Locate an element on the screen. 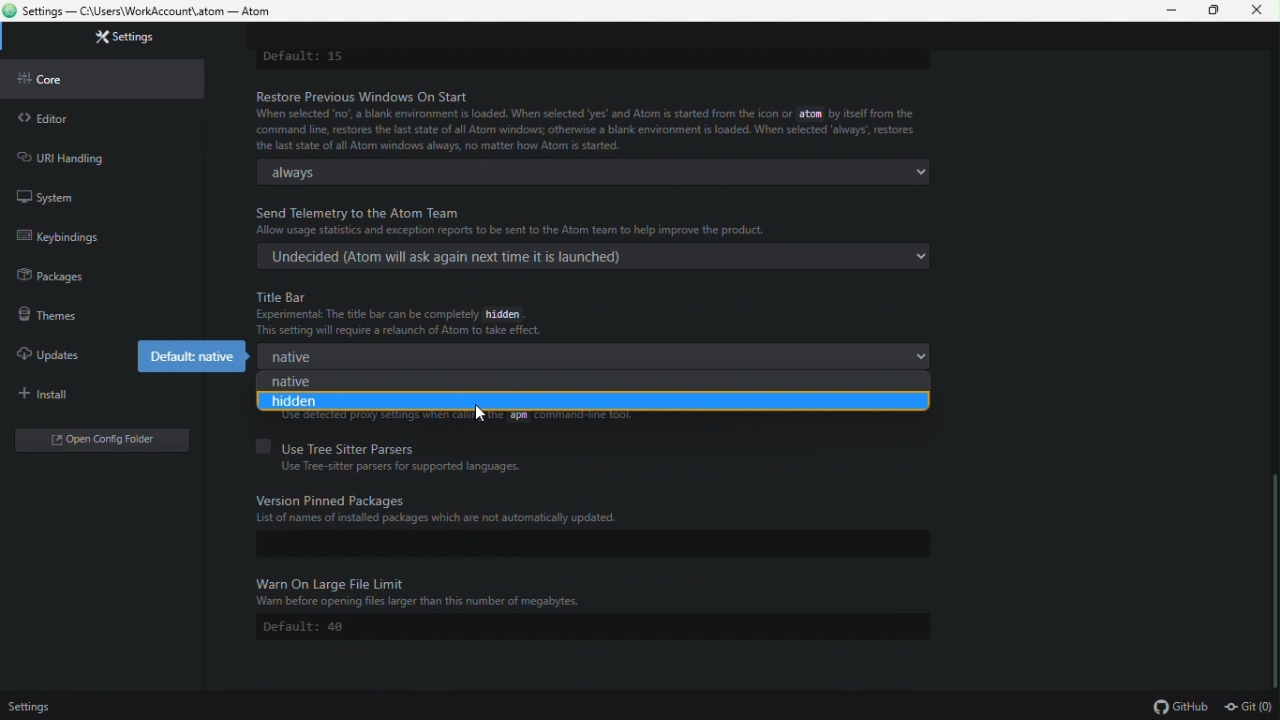 The height and width of the screenshot is (720, 1280). url handling is located at coordinates (92, 153).